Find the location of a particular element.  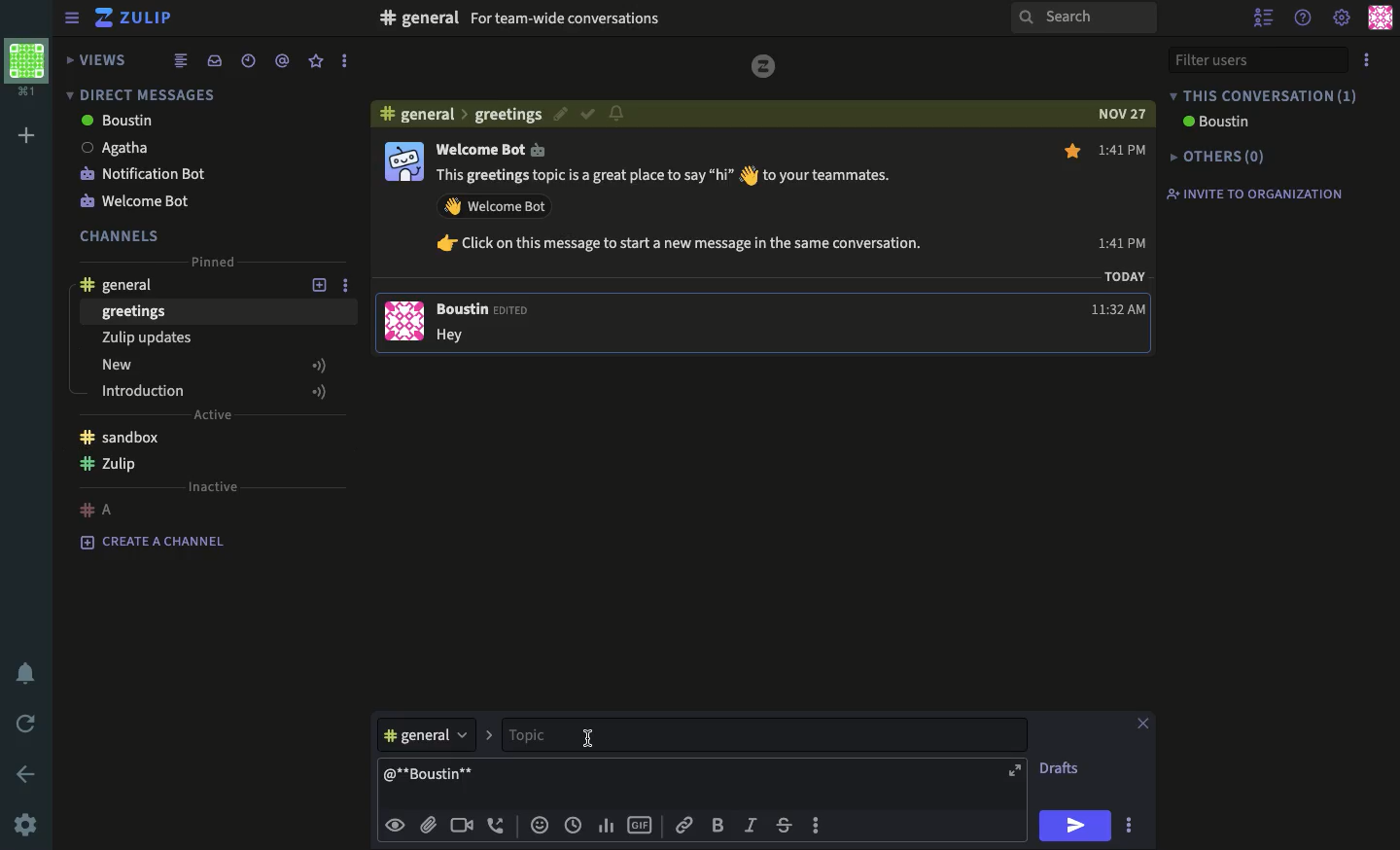

Hey is located at coordinates (460, 336).